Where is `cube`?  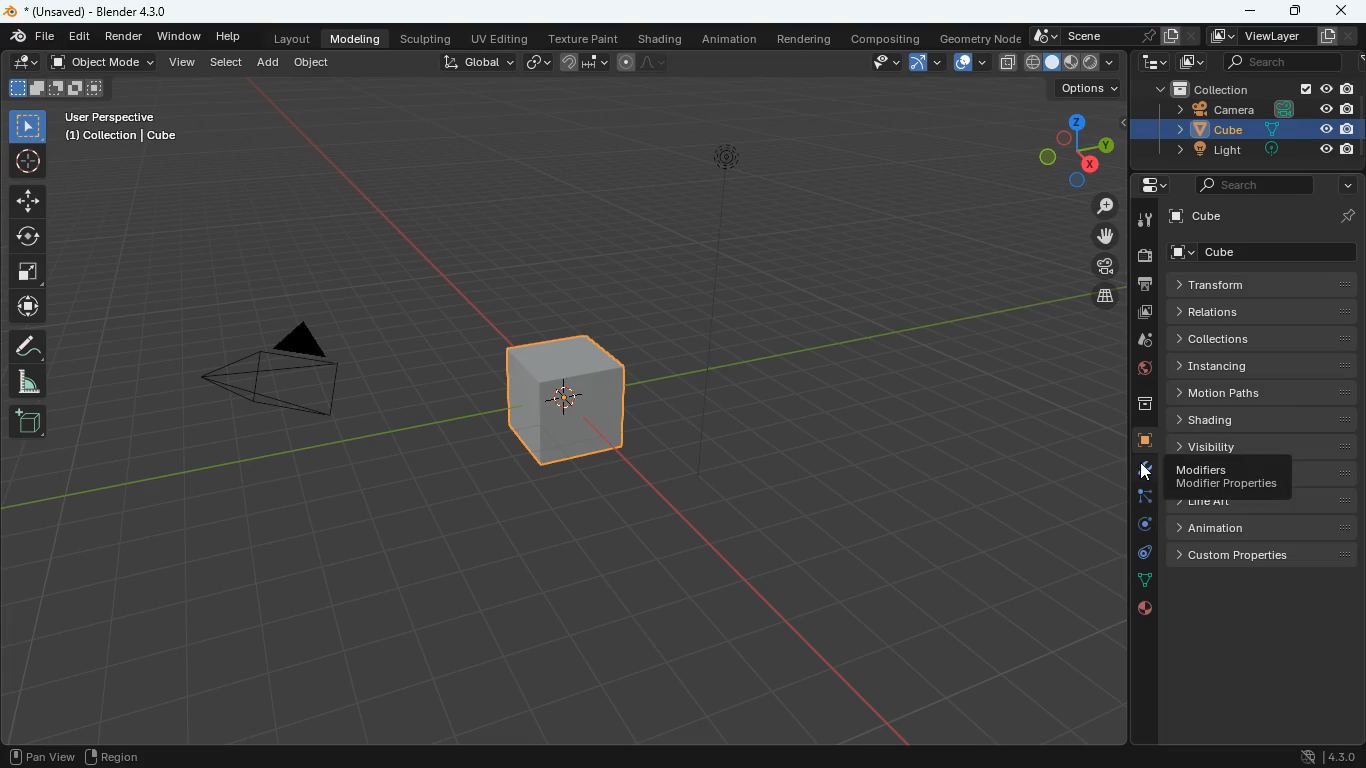 cube is located at coordinates (1135, 441).